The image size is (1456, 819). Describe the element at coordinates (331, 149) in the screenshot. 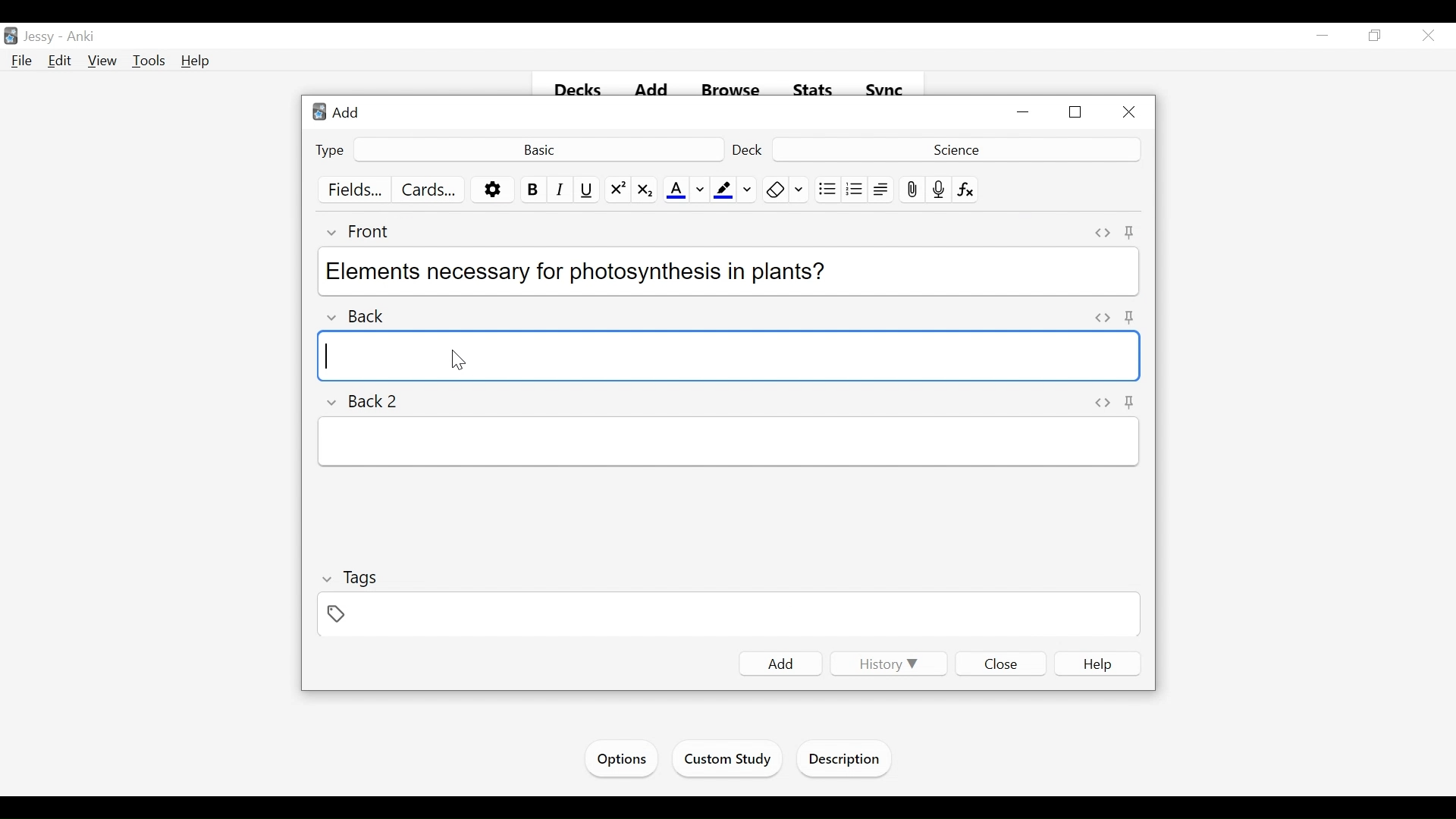

I see `Type` at that location.